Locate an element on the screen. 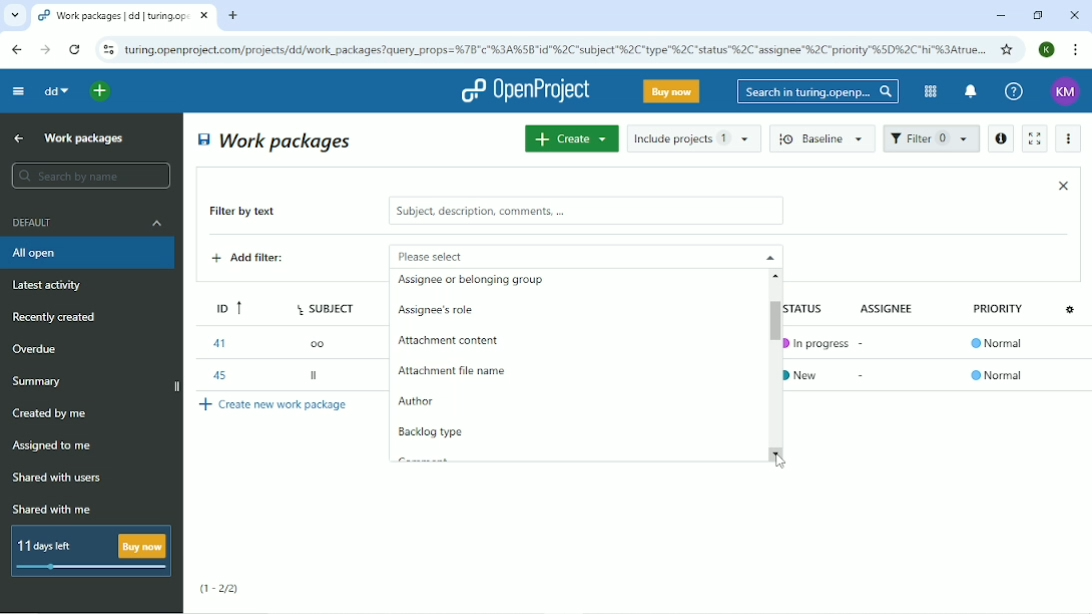  Recently created is located at coordinates (58, 317).